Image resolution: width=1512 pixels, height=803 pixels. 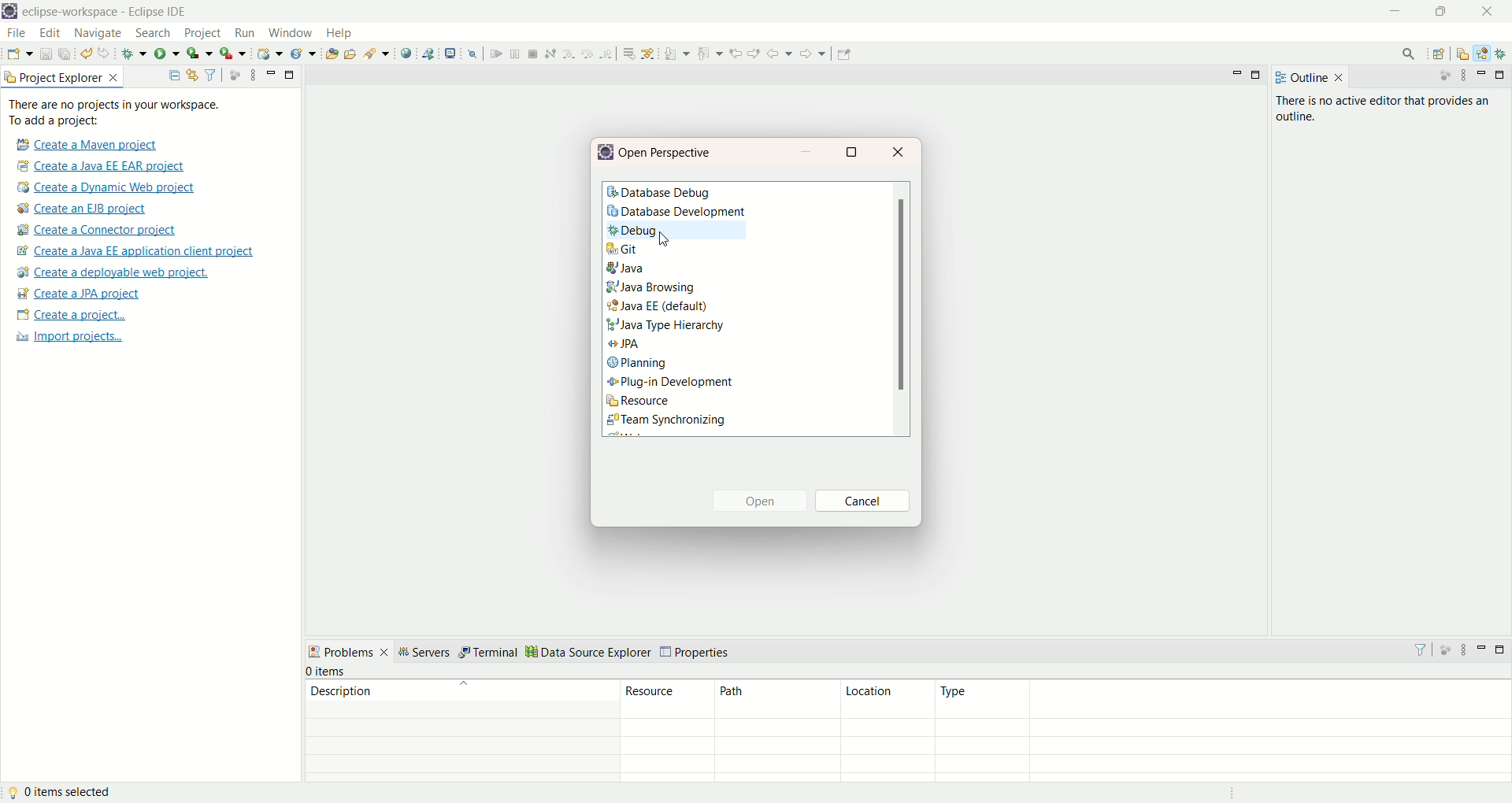 I want to click on step into, so click(x=568, y=54).